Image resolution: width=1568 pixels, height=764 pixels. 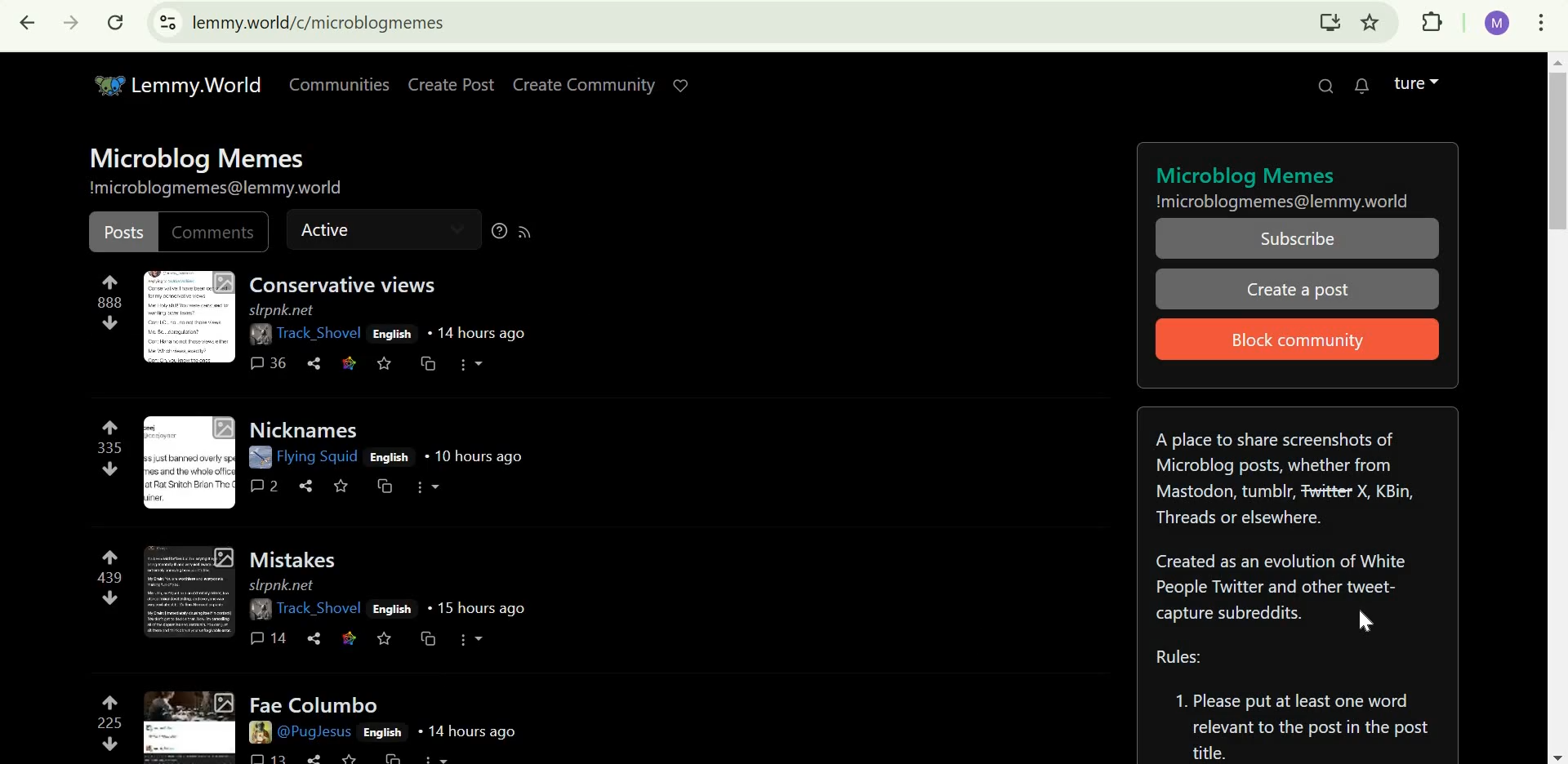 I want to click on 36 comments, so click(x=267, y=362).